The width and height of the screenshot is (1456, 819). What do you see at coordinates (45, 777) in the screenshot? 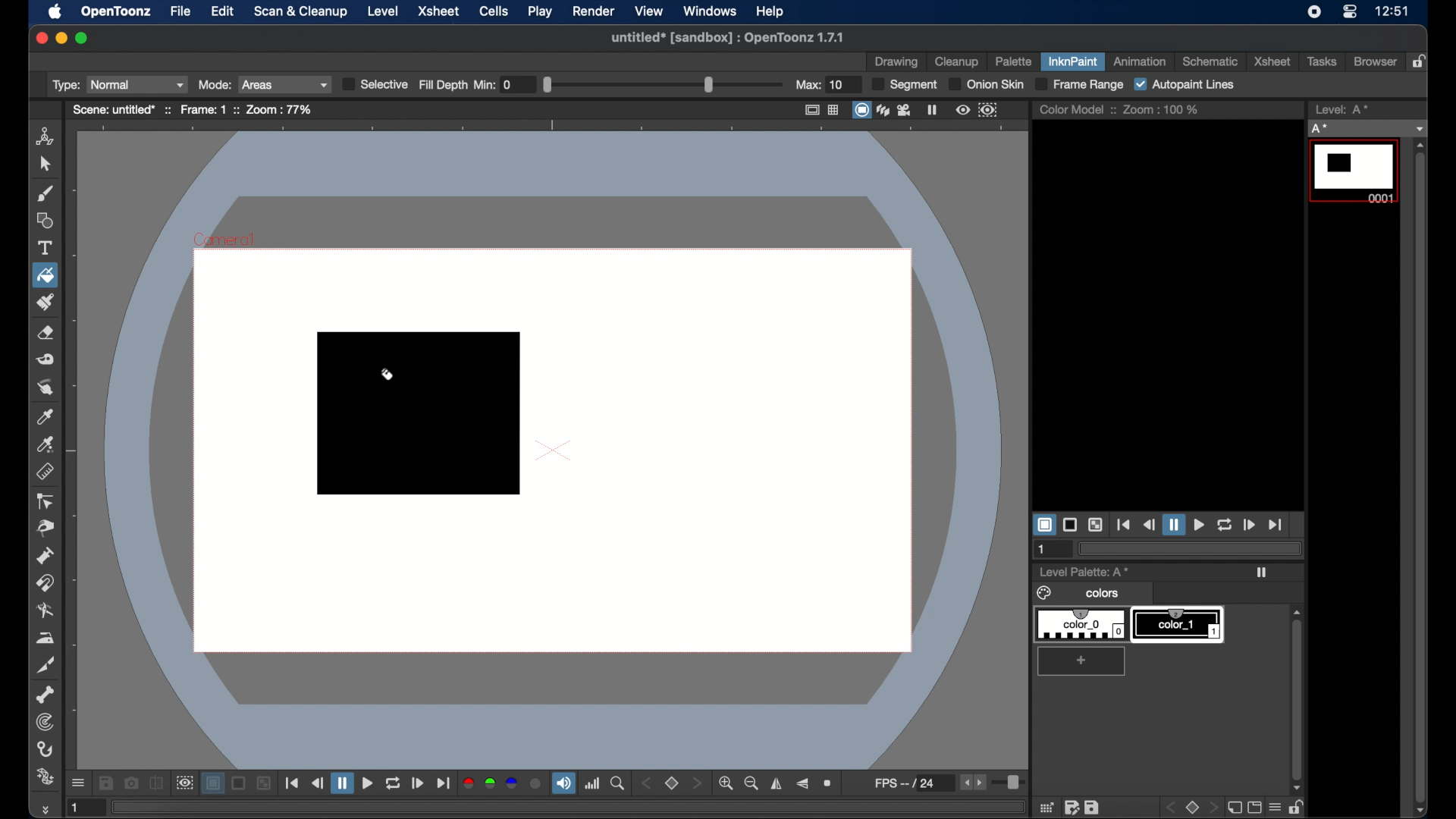
I see `plastic tool` at bounding box center [45, 777].